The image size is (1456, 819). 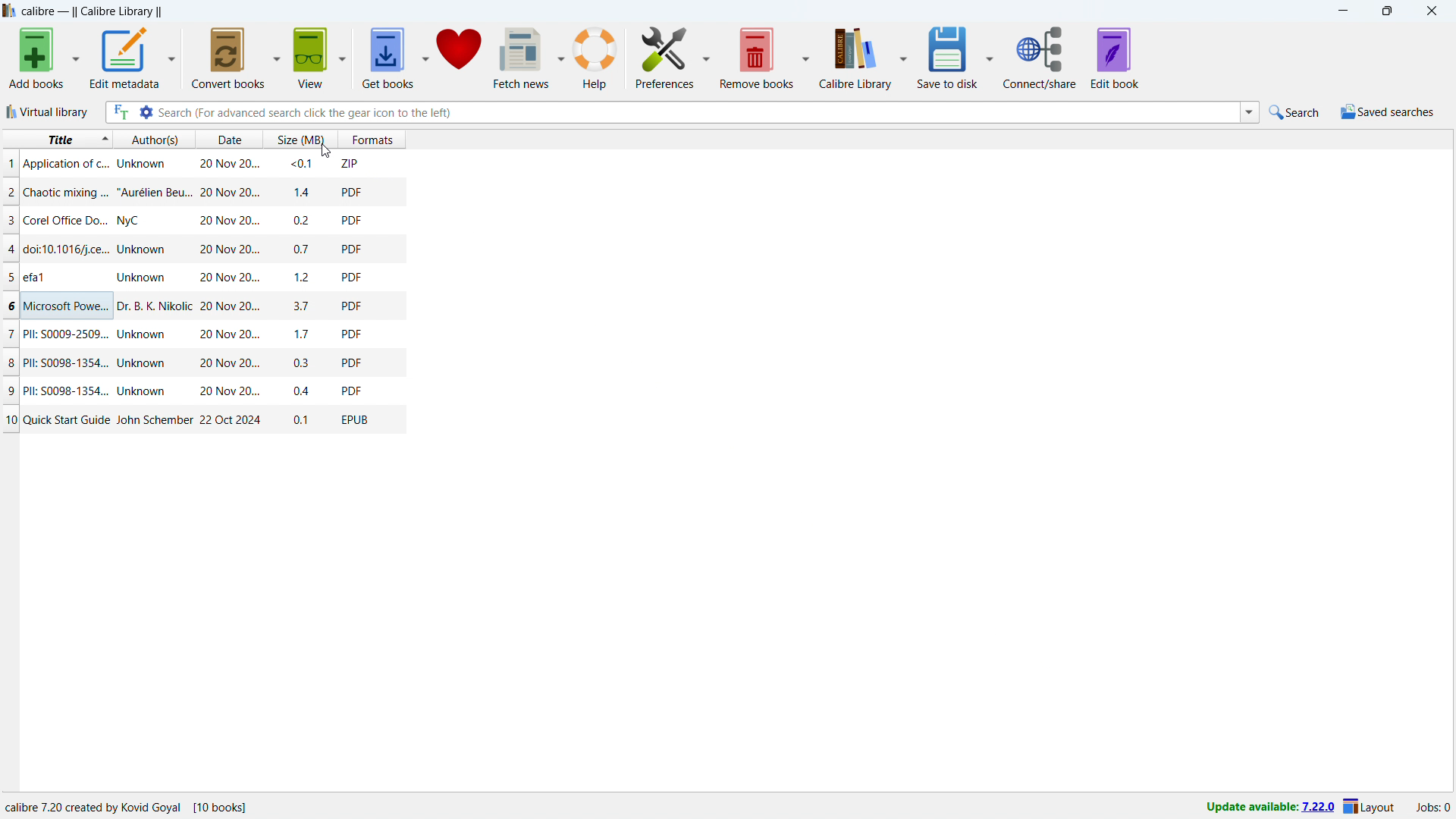 What do you see at coordinates (352, 163) in the screenshot?
I see `ZIP` at bounding box center [352, 163].